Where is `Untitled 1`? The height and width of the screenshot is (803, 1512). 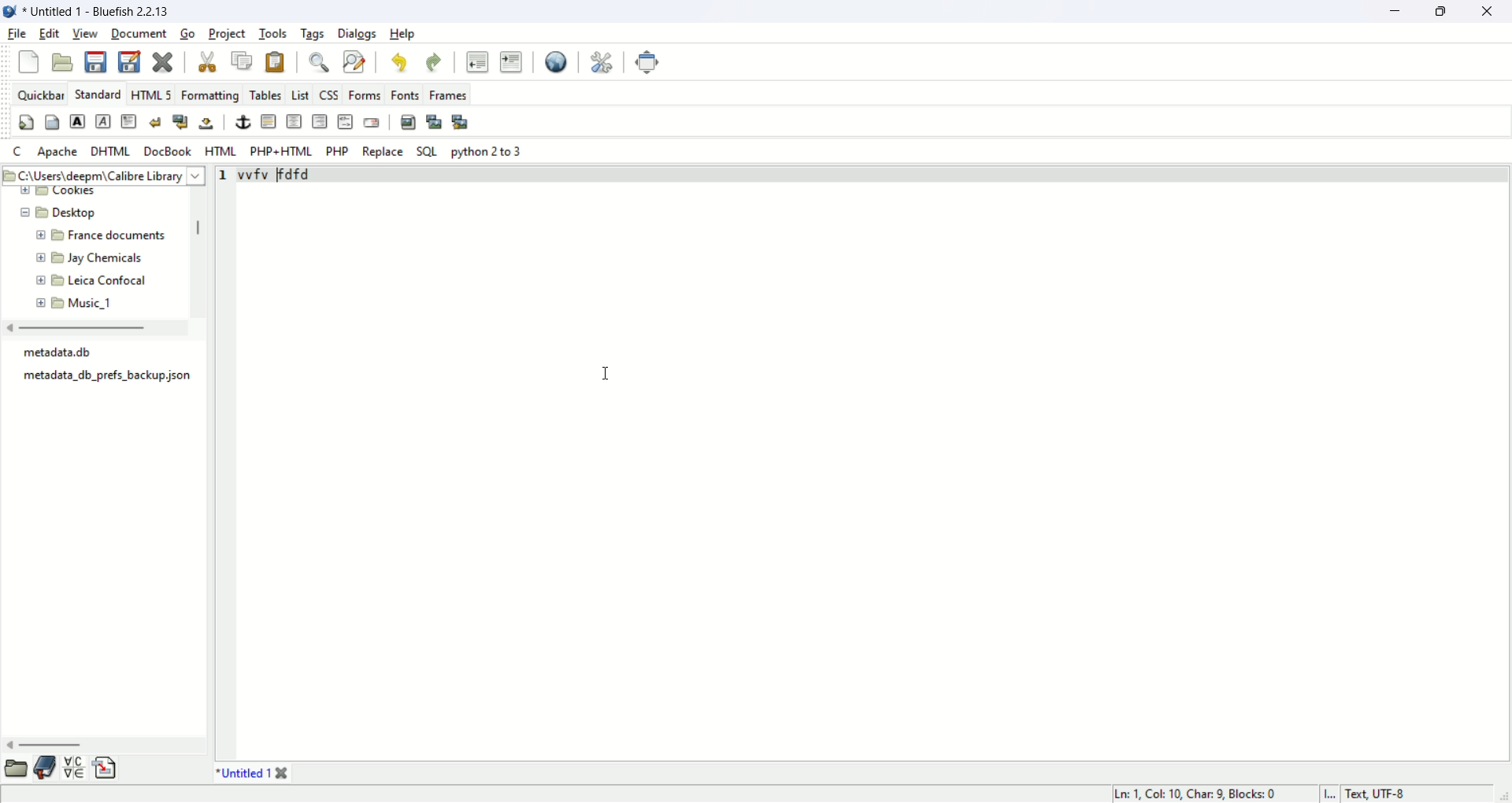
Untitled 1 is located at coordinates (96, 9).